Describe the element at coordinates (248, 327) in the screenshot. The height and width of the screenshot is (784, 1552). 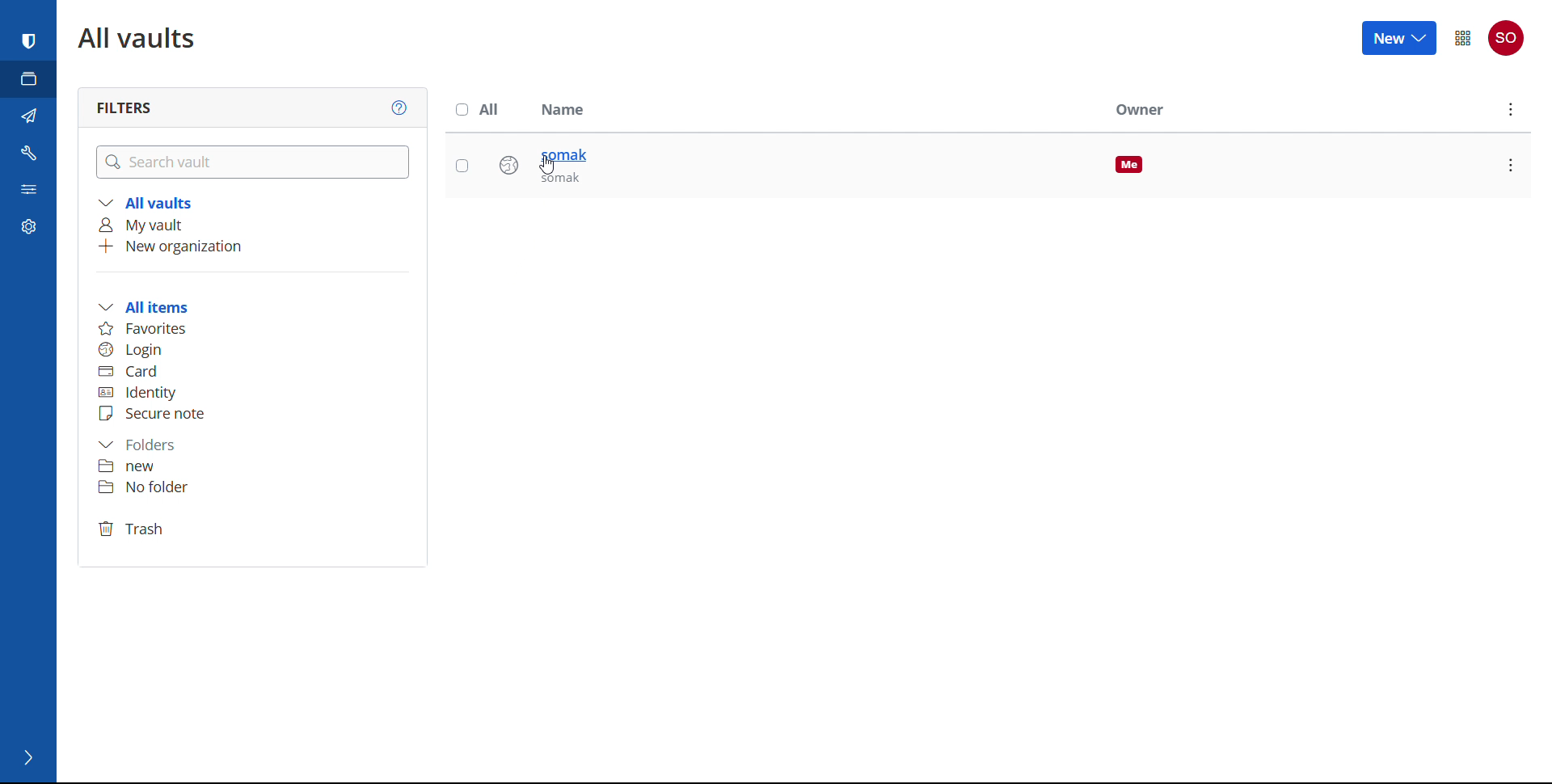
I see `favourites` at that location.